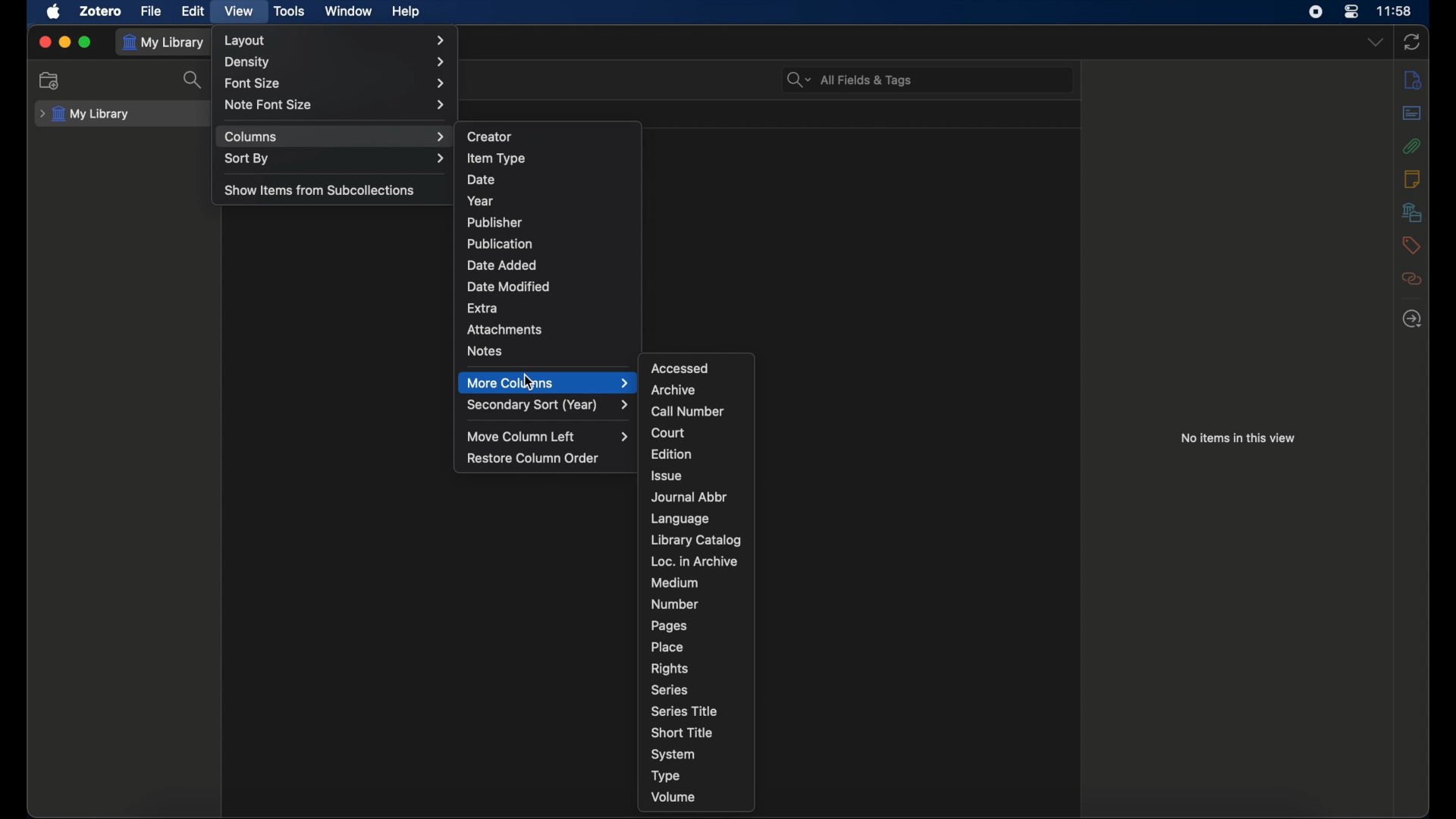 This screenshot has height=819, width=1456. I want to click on font size, so click(337, 83).